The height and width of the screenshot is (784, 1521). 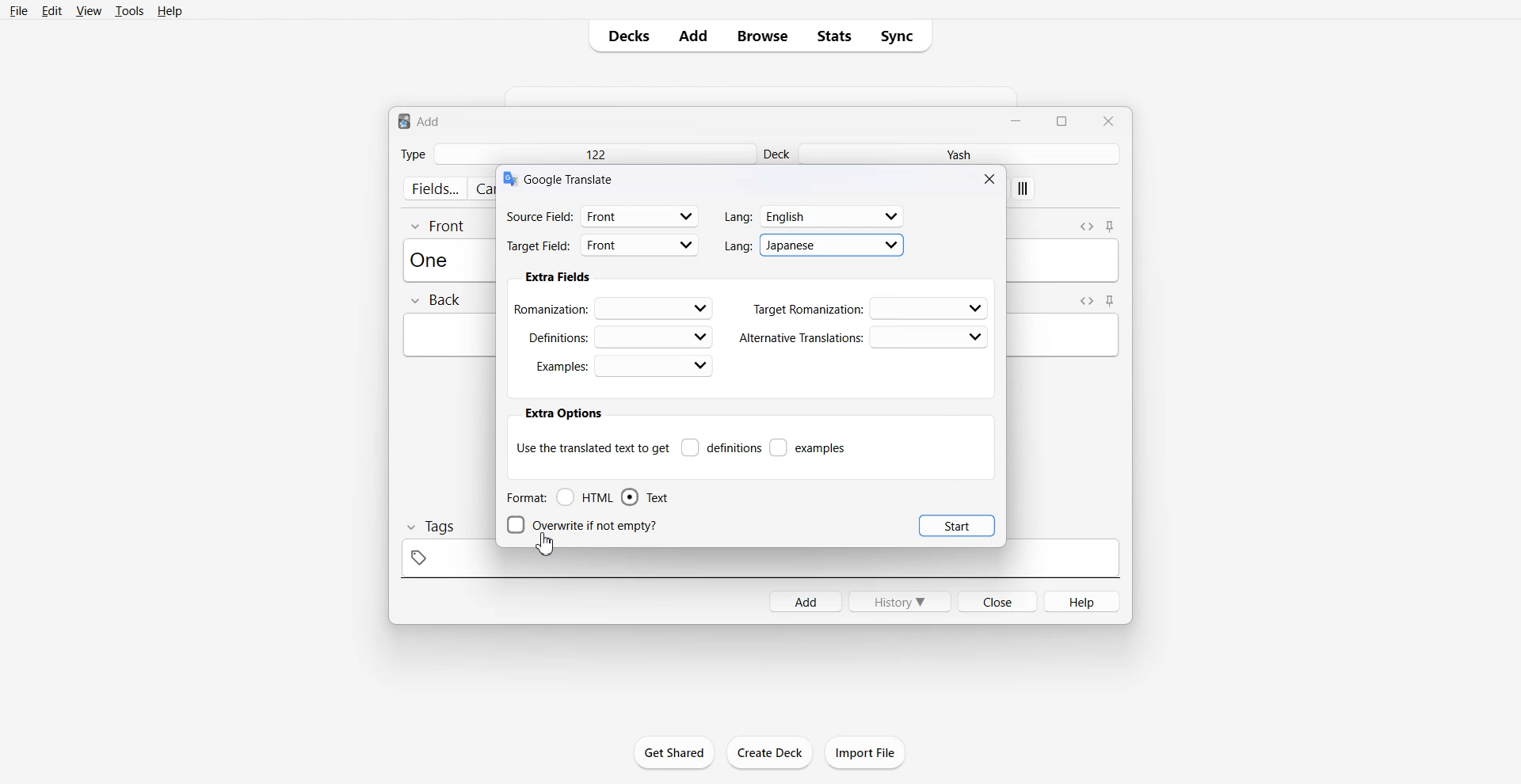 I want to click on Close, so click(x=992, y=178).